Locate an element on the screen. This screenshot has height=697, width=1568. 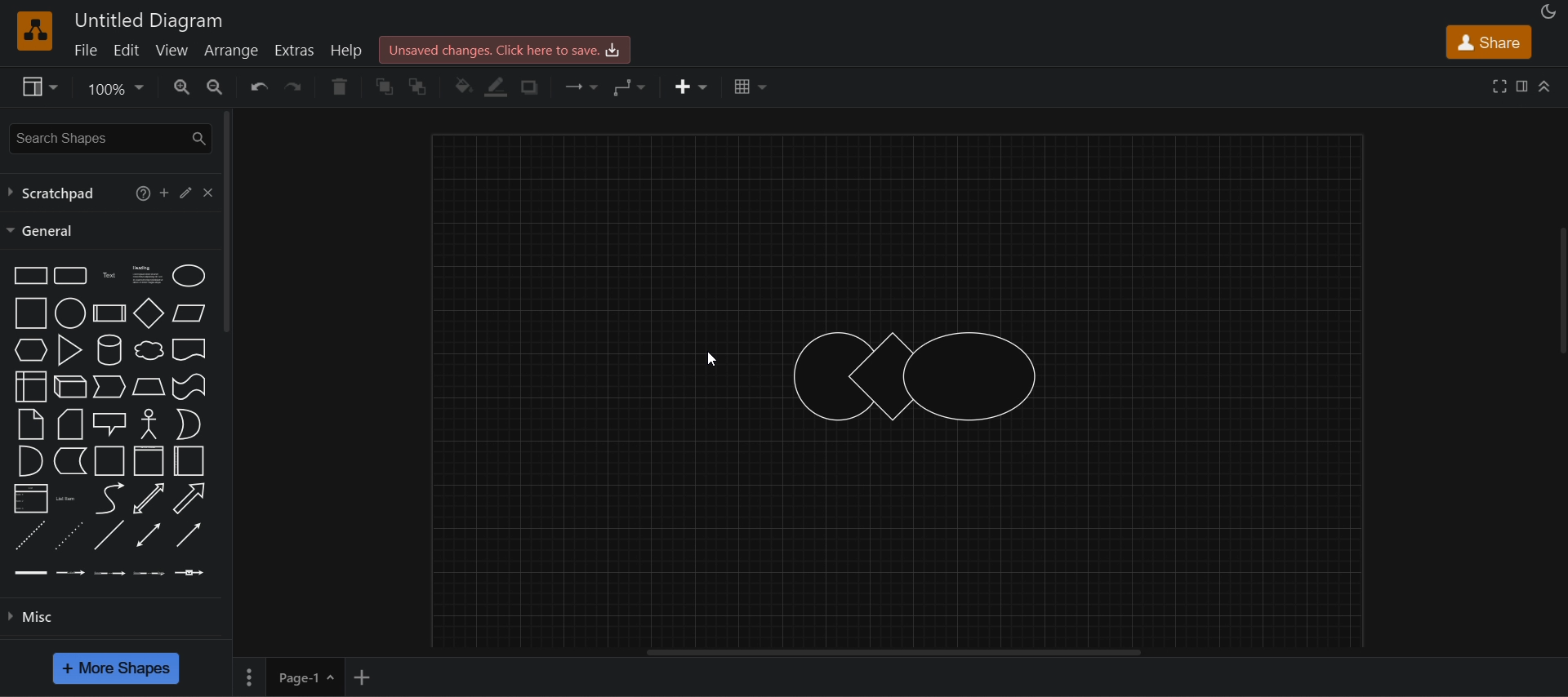
List item is located at coordinates (67, 498).